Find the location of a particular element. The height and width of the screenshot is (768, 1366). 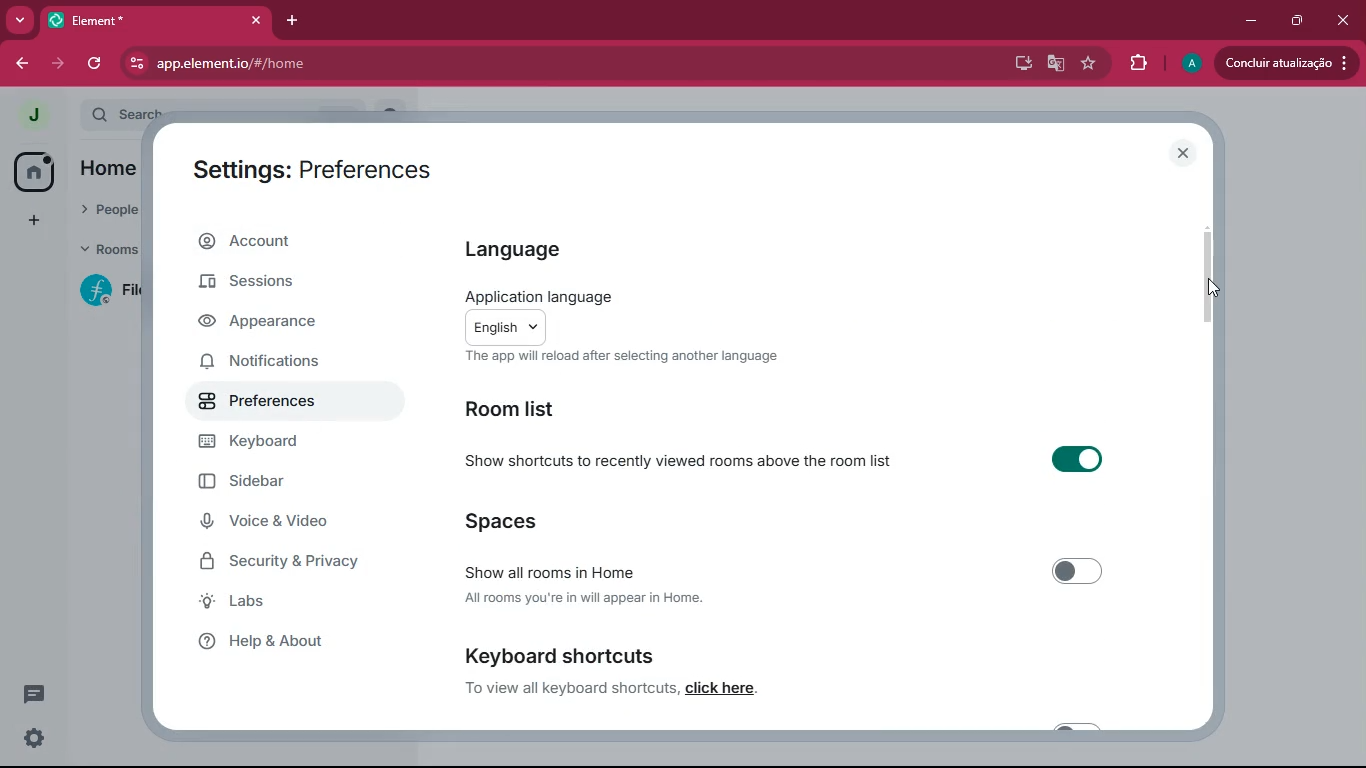

minimize is located at coordinates (1252, 18).